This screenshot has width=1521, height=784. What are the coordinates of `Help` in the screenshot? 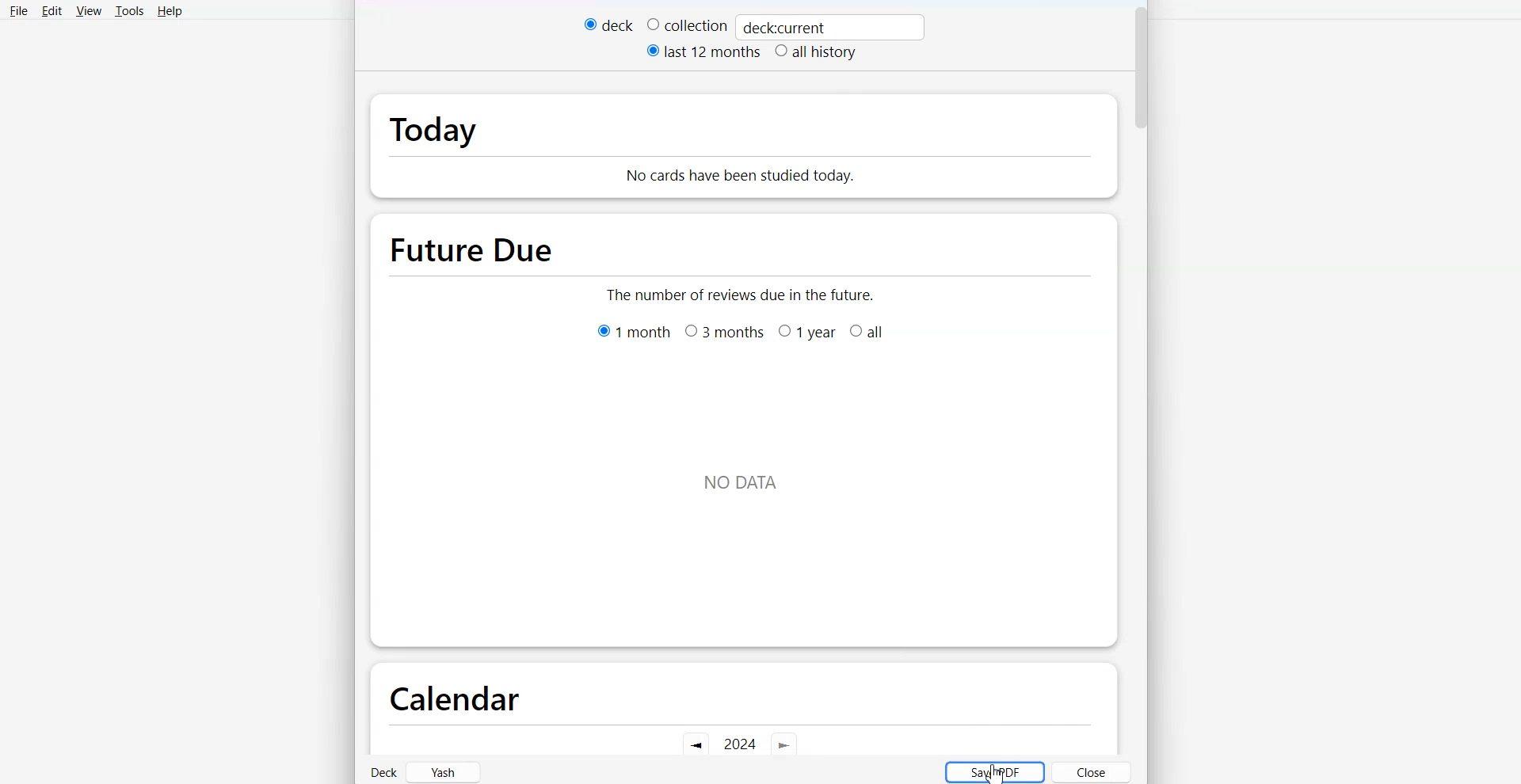 It's located at (169, 11).